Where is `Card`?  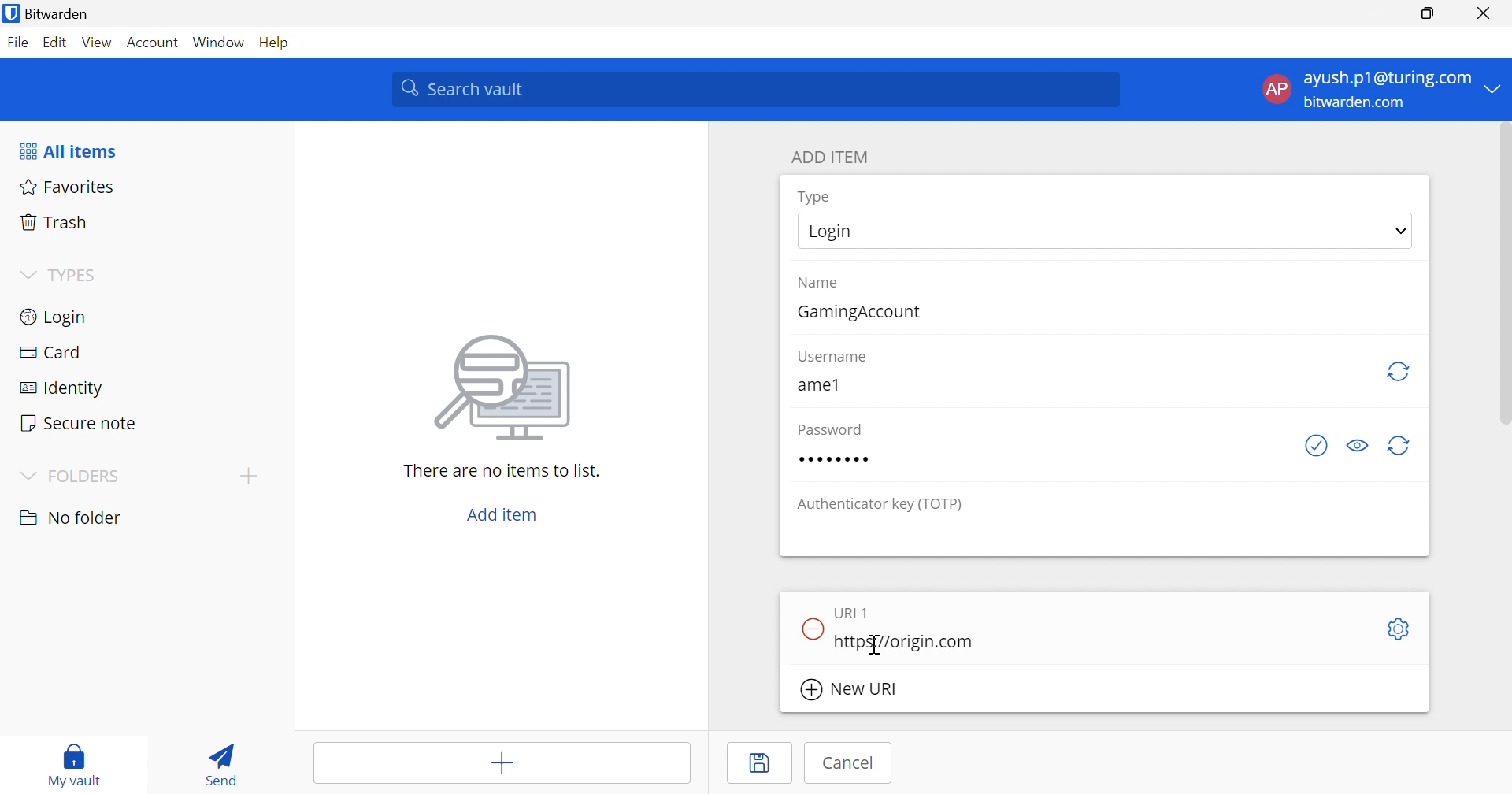
Card is located at coordinates (53, 354).